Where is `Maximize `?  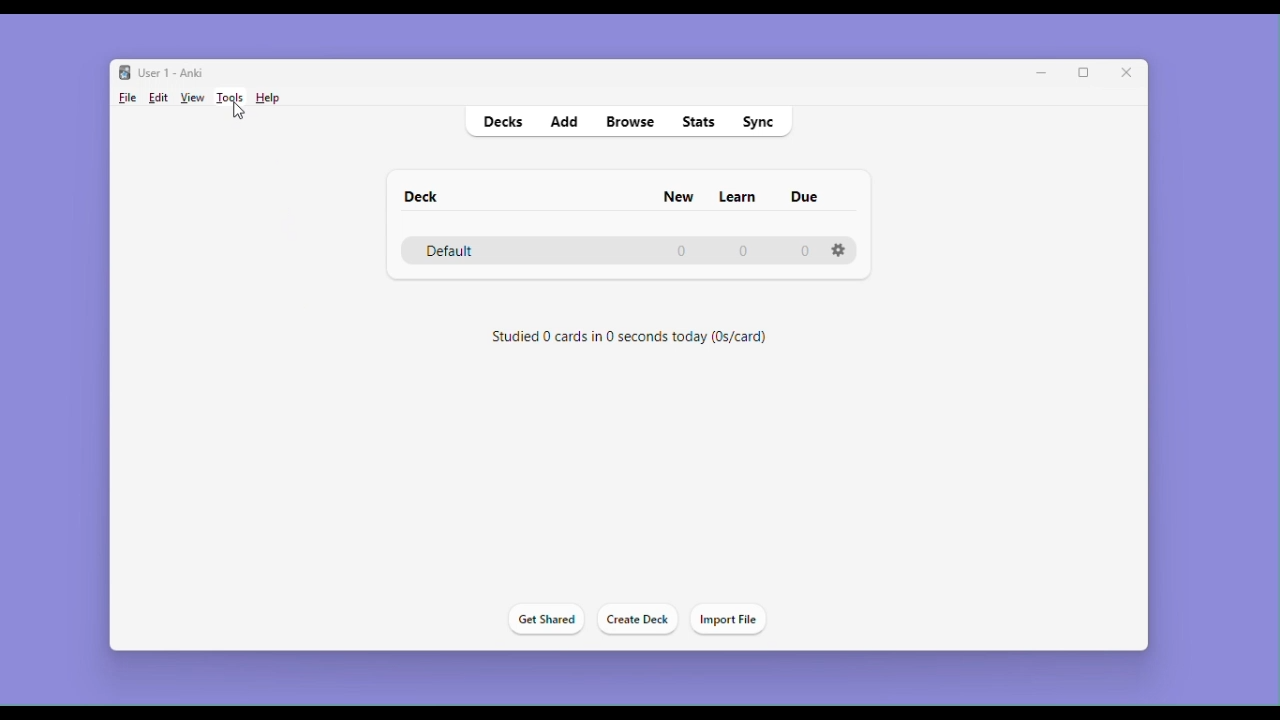
Maximize  is located at coordinates (1084, 71).